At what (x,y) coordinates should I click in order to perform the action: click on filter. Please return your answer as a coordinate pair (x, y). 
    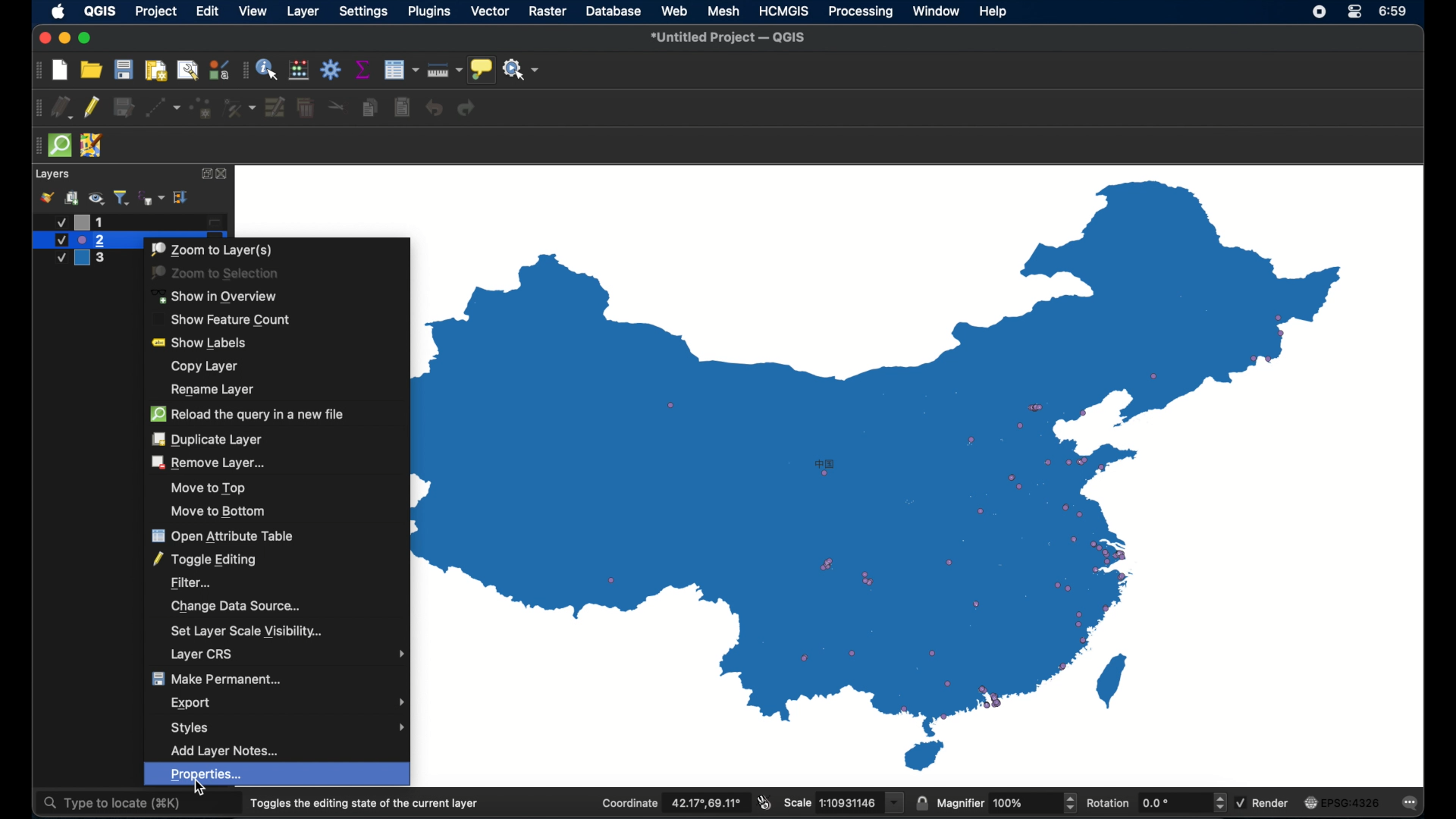
    Looking at the image, I should click on (188, 584).